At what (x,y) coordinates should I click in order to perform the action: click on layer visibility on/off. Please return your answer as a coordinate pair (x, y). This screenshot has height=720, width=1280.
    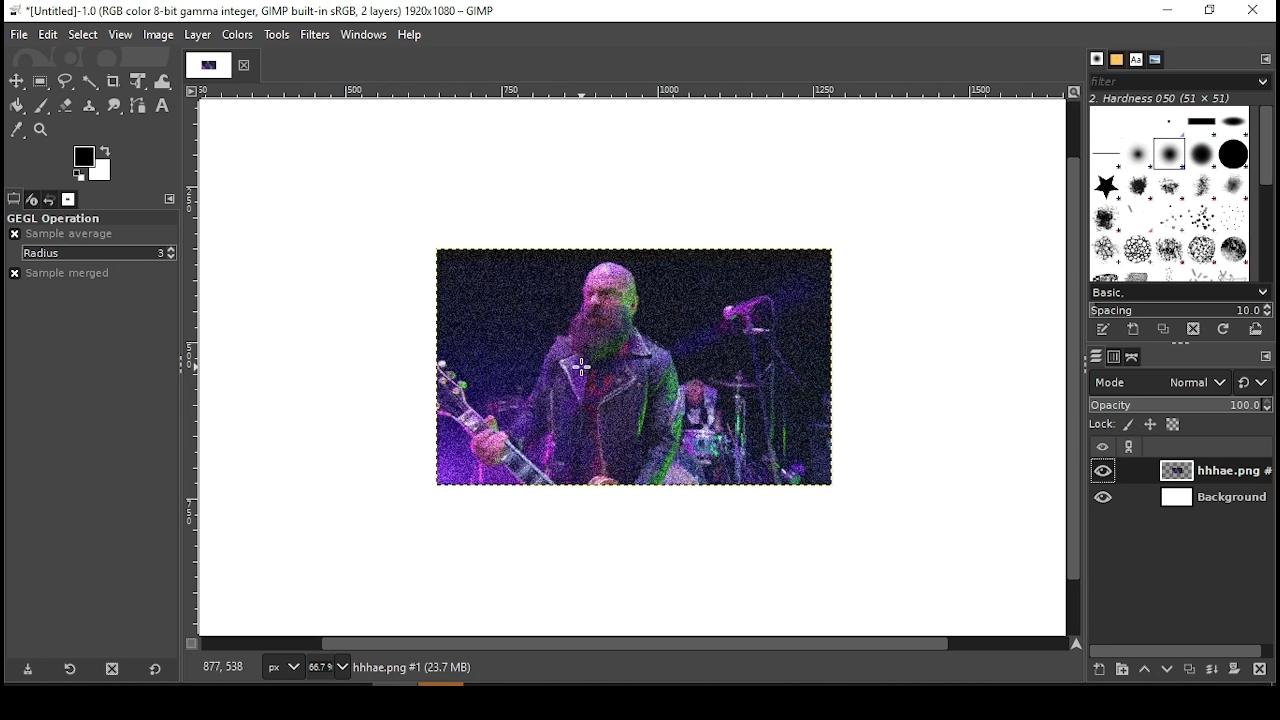
    Looking at the image, I should click on (1105, 471).